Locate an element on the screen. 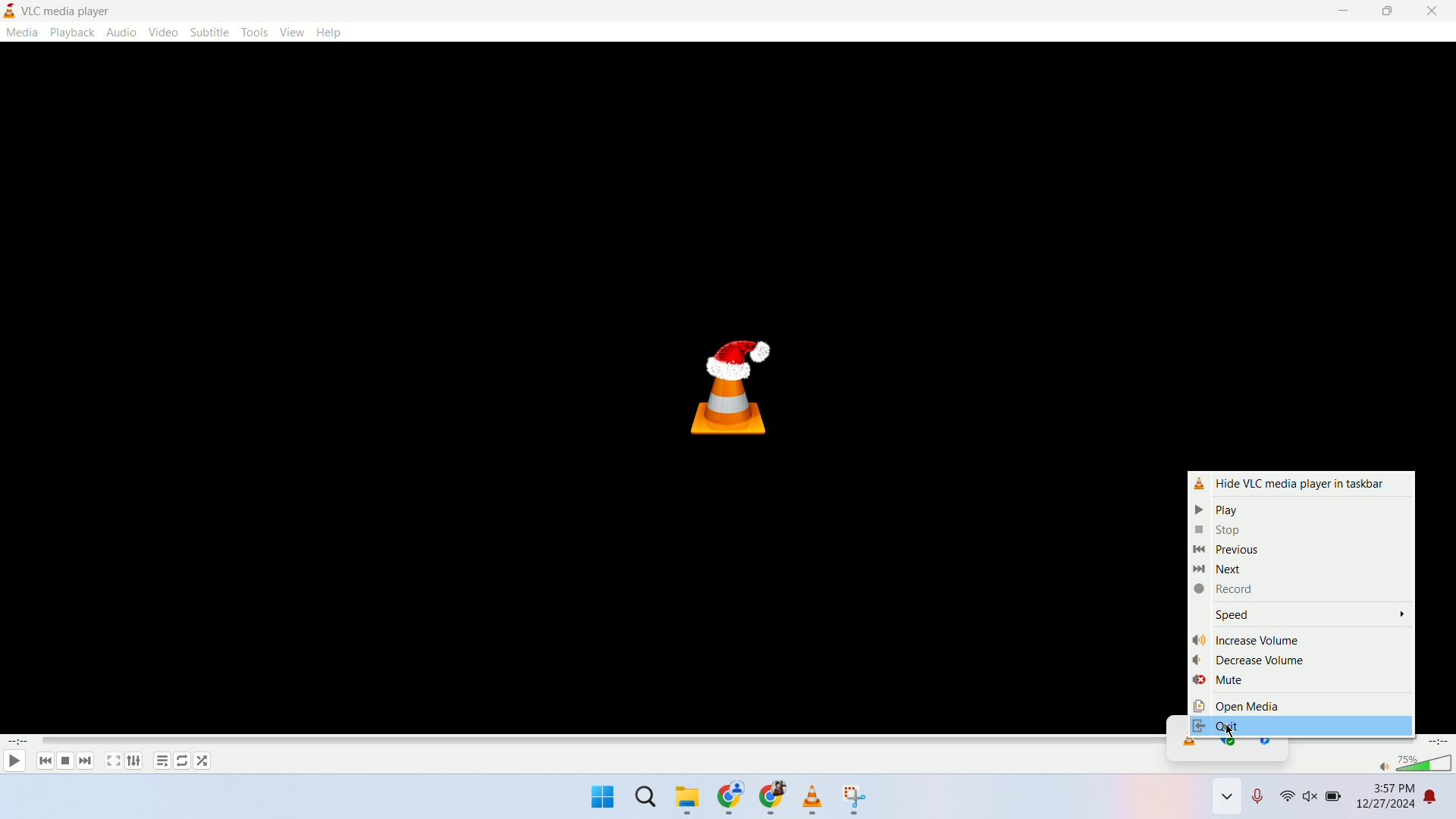 This screenshot has height=819, width=1456. playlist is located at coordinates (160, 763).